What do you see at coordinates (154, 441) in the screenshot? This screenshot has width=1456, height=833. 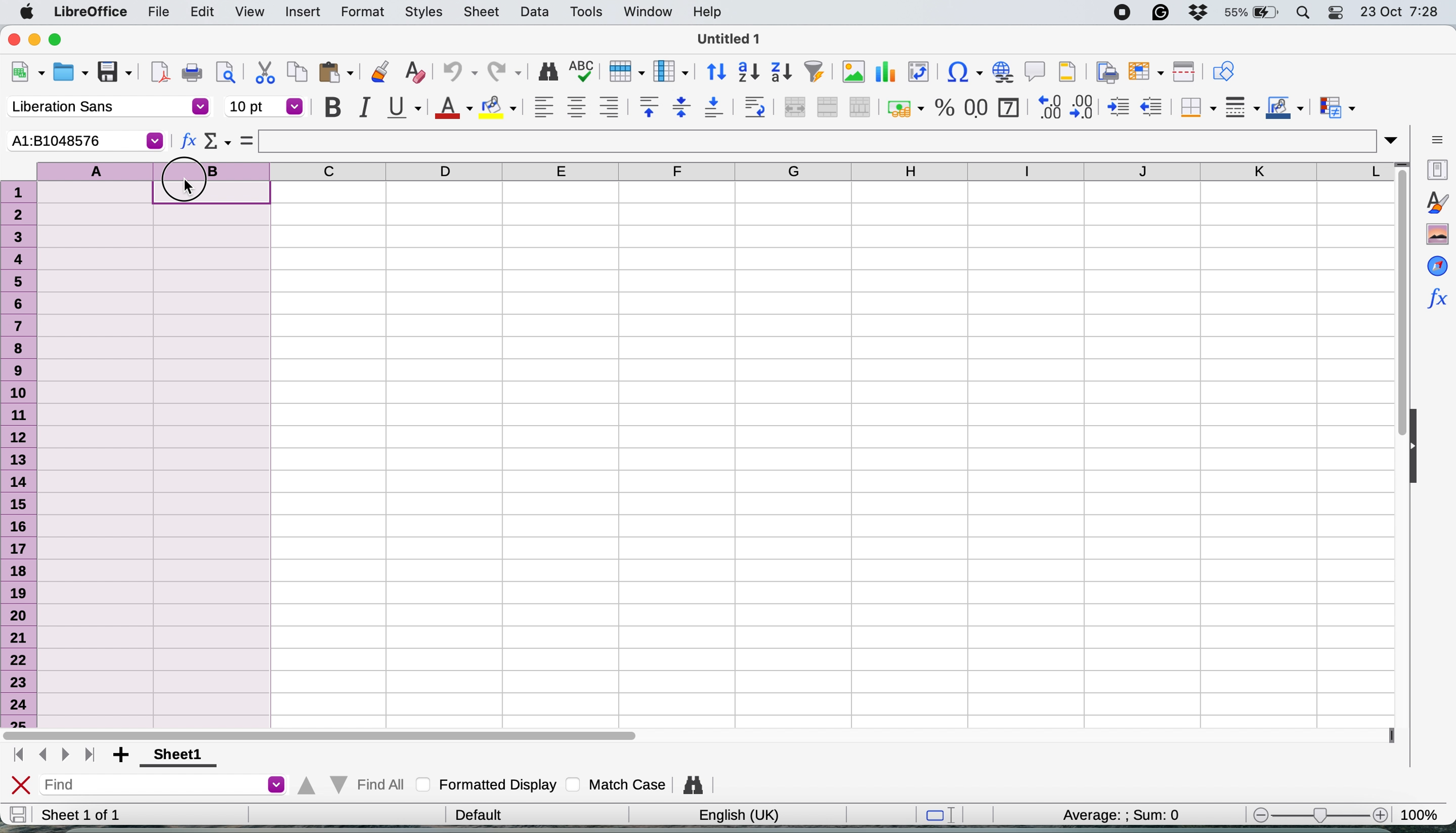 I see `select columns` at bounding box center [154, 441].